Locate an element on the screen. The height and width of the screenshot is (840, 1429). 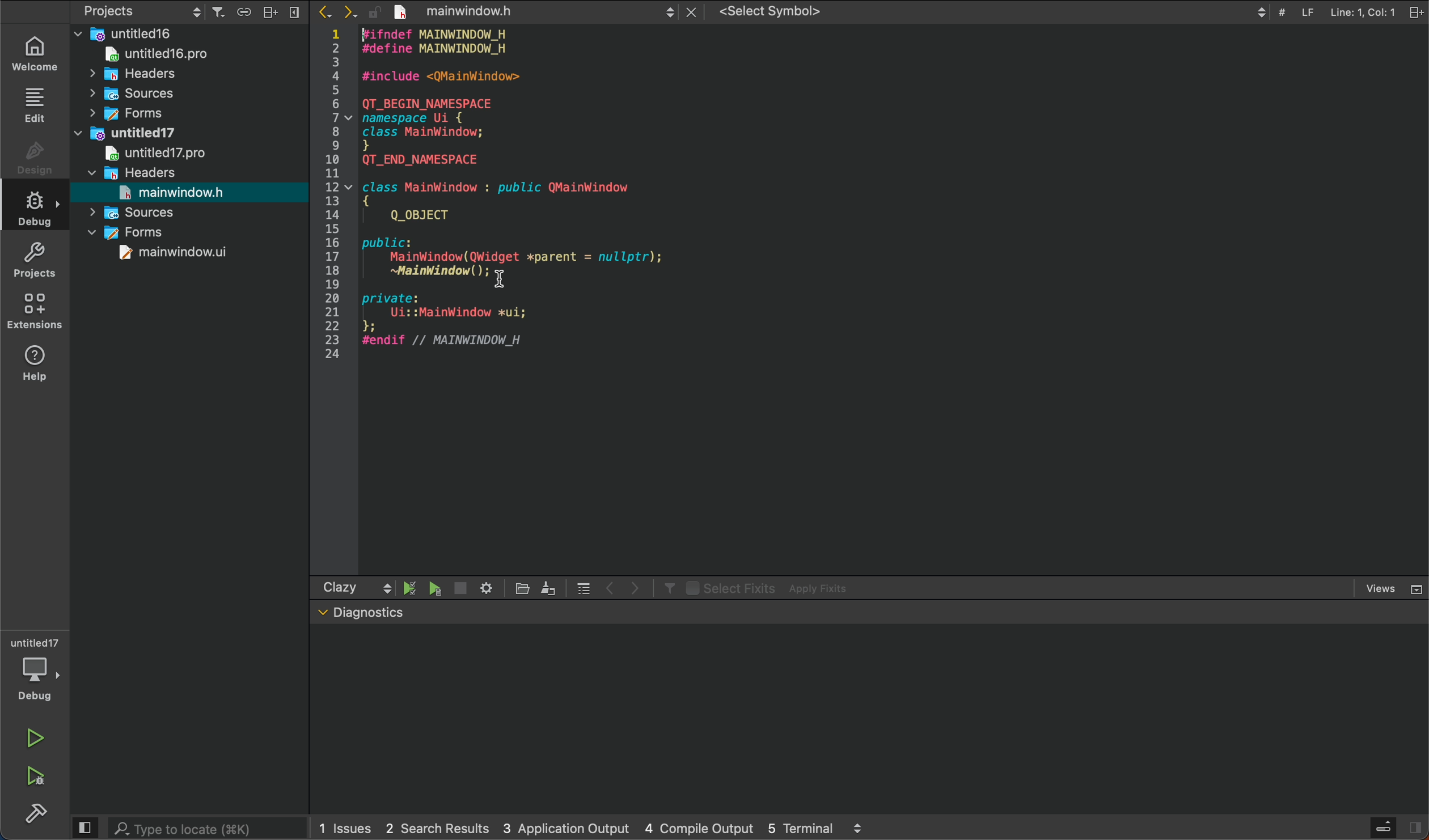
sidebar toggle is located at coordinates (1398, 828).